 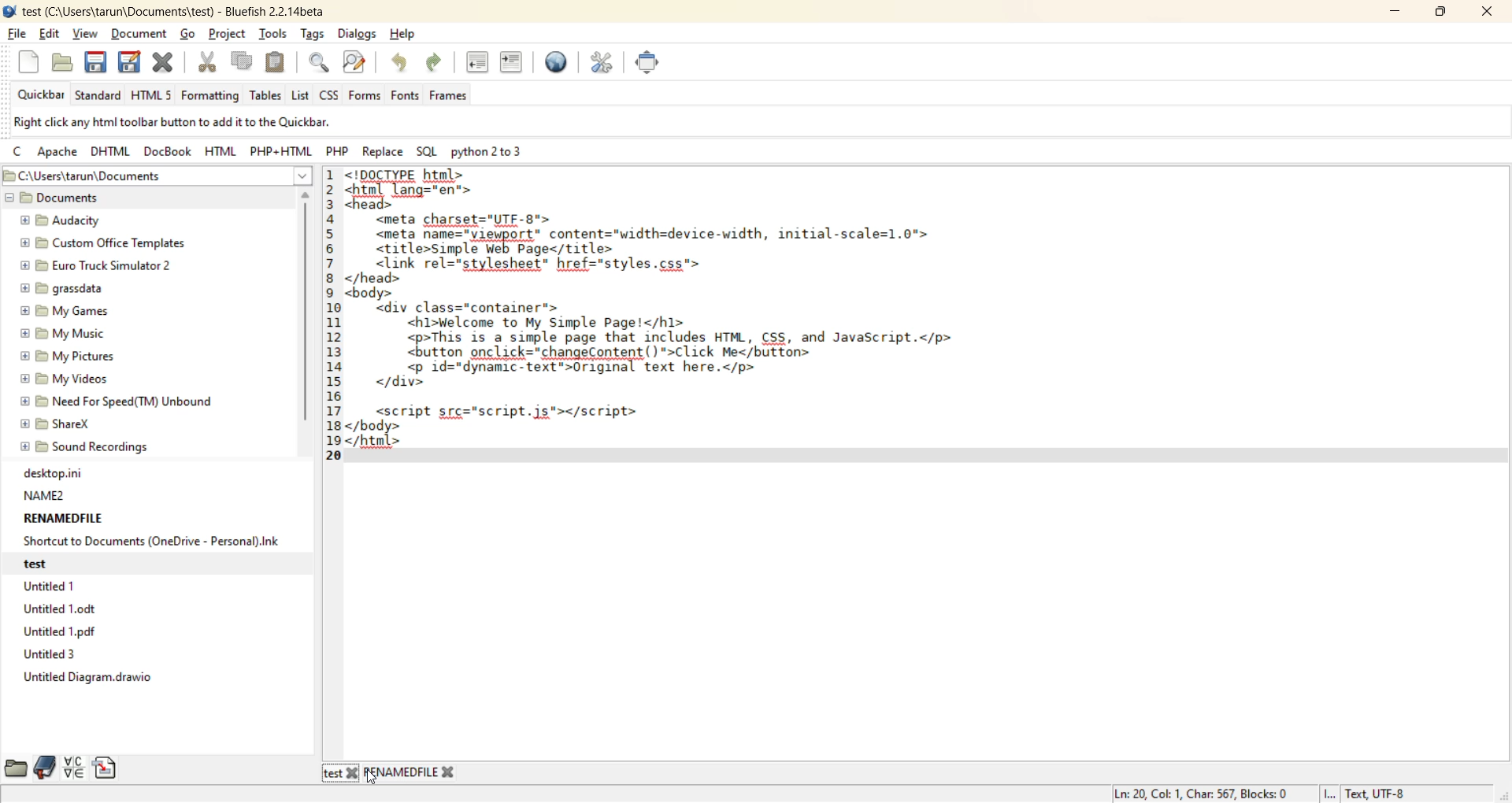 I want to click on custom Office Templates, so click(x=105, y=243).